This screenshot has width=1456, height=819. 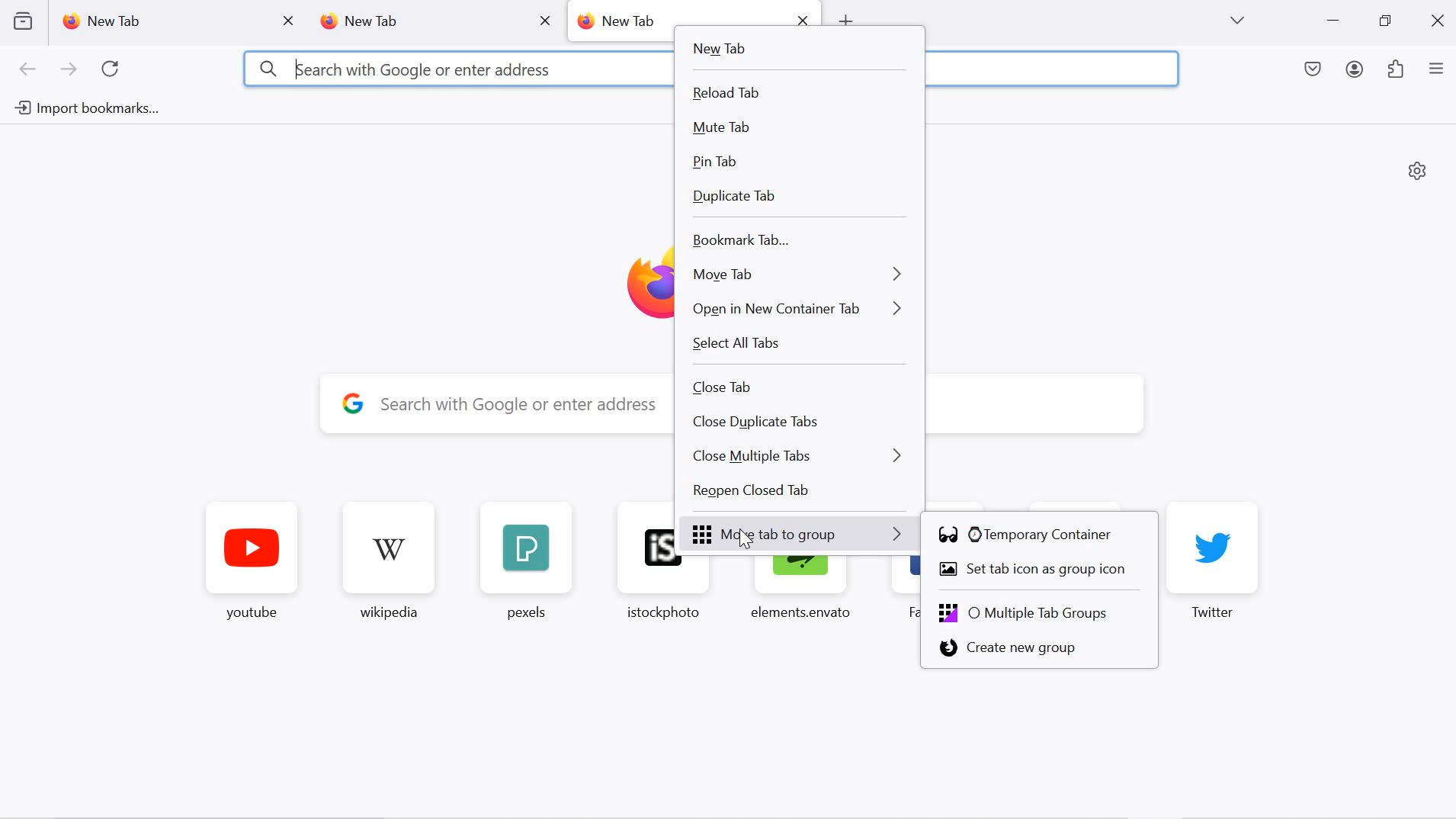 What do you see at coordinates (523, 562) in the screenshot?
I see `pexels favorite` at bounding box center [523, 562].